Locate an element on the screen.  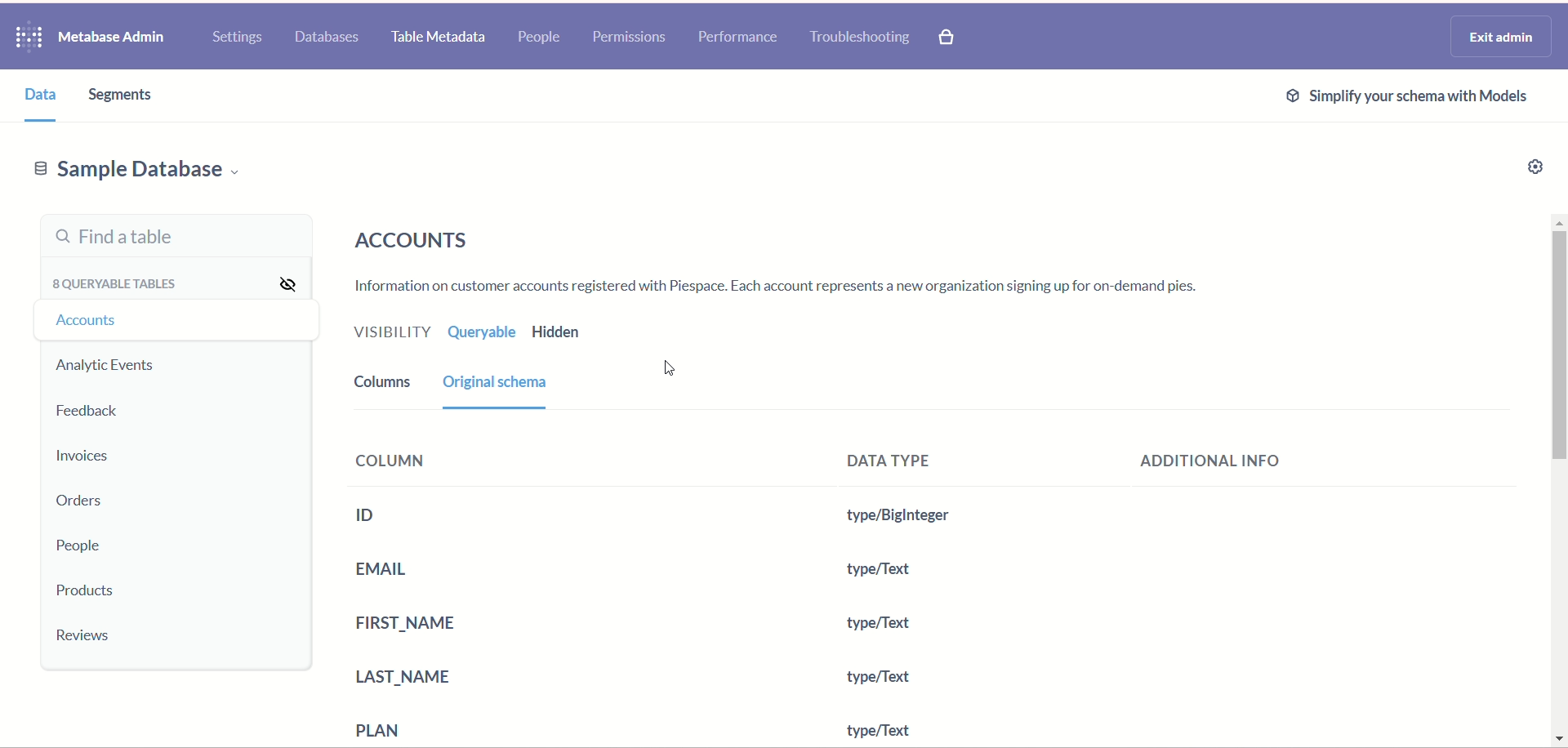
paid features is located at coordinates (949, 39).